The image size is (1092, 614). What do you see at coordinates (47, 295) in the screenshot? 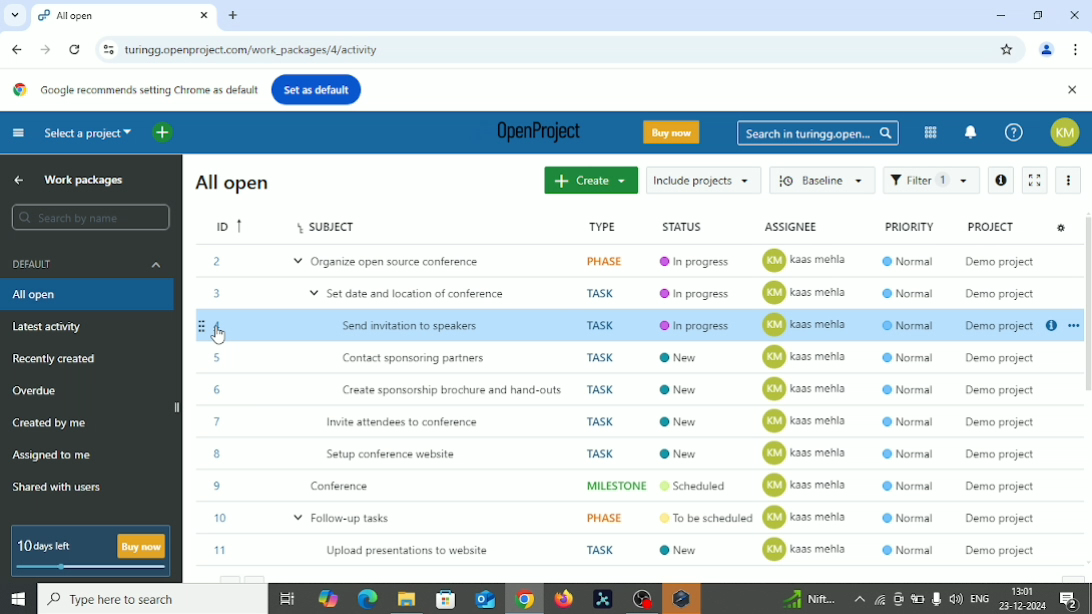
I see `All open` at bounding box center [47, 295].